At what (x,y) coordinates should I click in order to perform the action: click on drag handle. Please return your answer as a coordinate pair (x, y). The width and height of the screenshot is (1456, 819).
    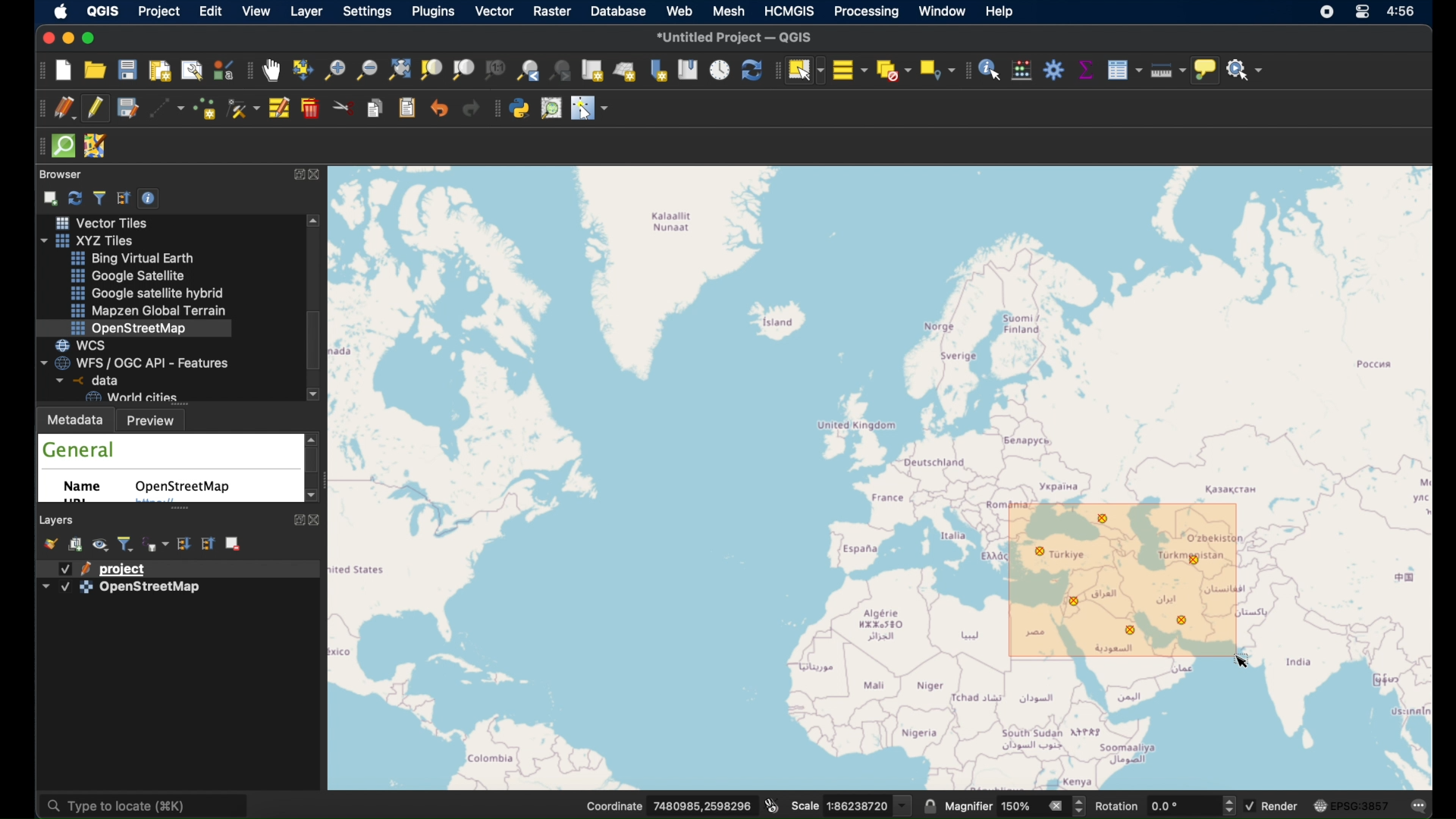
    Looking at the image, I should click on (775, 70).